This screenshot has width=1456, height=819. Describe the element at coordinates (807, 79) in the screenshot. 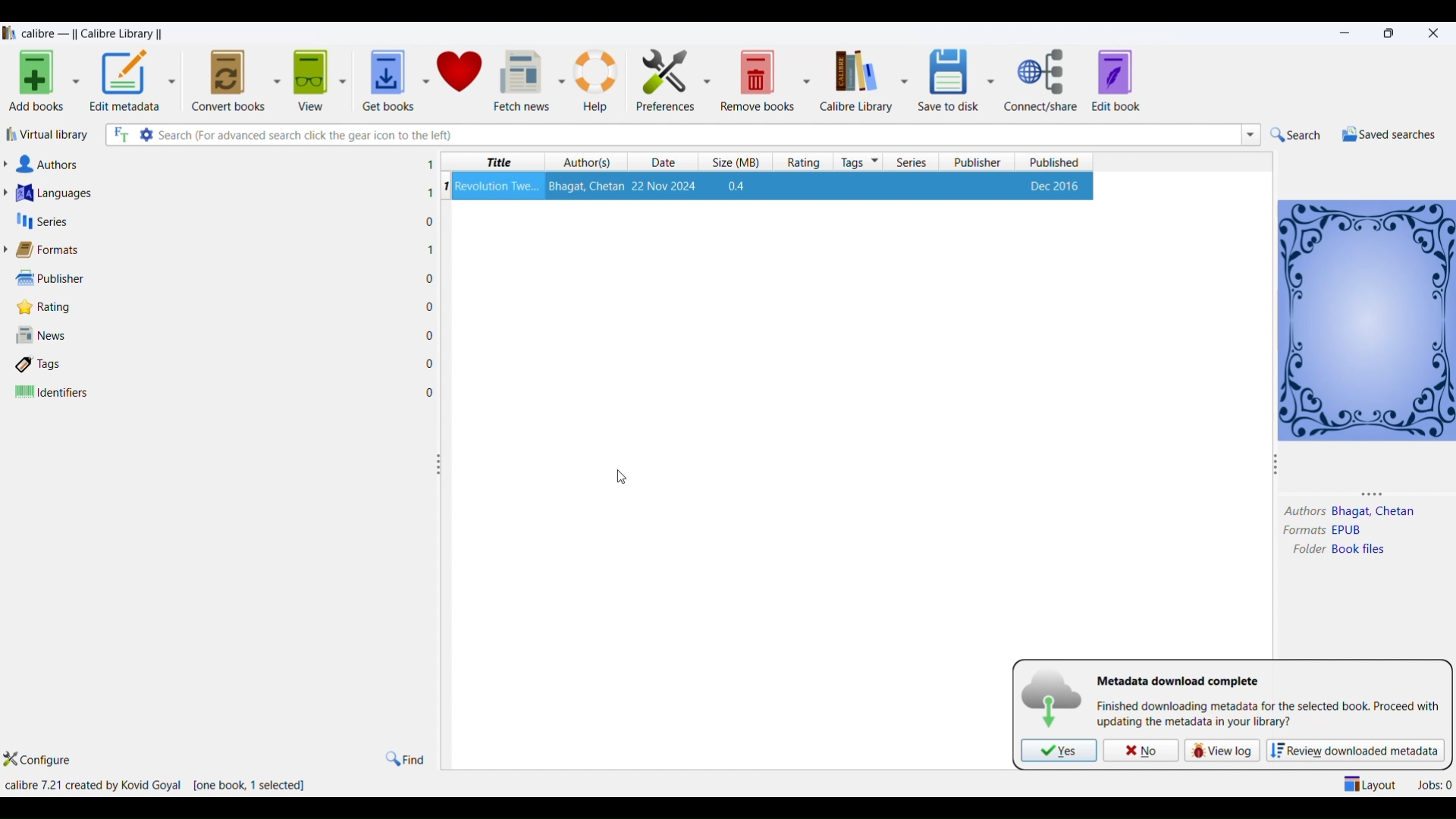

I see `remove books options dropdown button` at that location.